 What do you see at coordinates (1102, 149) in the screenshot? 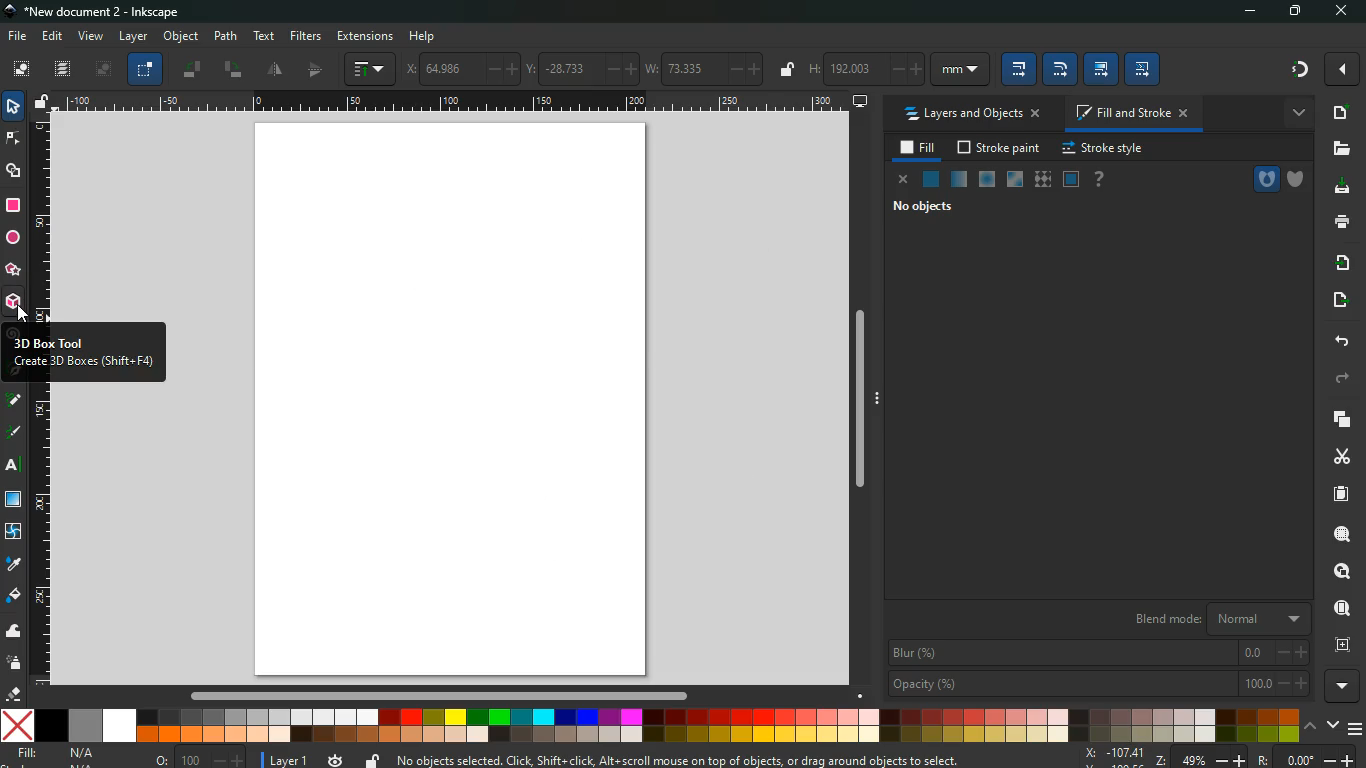
I see `stroke style` at bounding box center [1102, 149].